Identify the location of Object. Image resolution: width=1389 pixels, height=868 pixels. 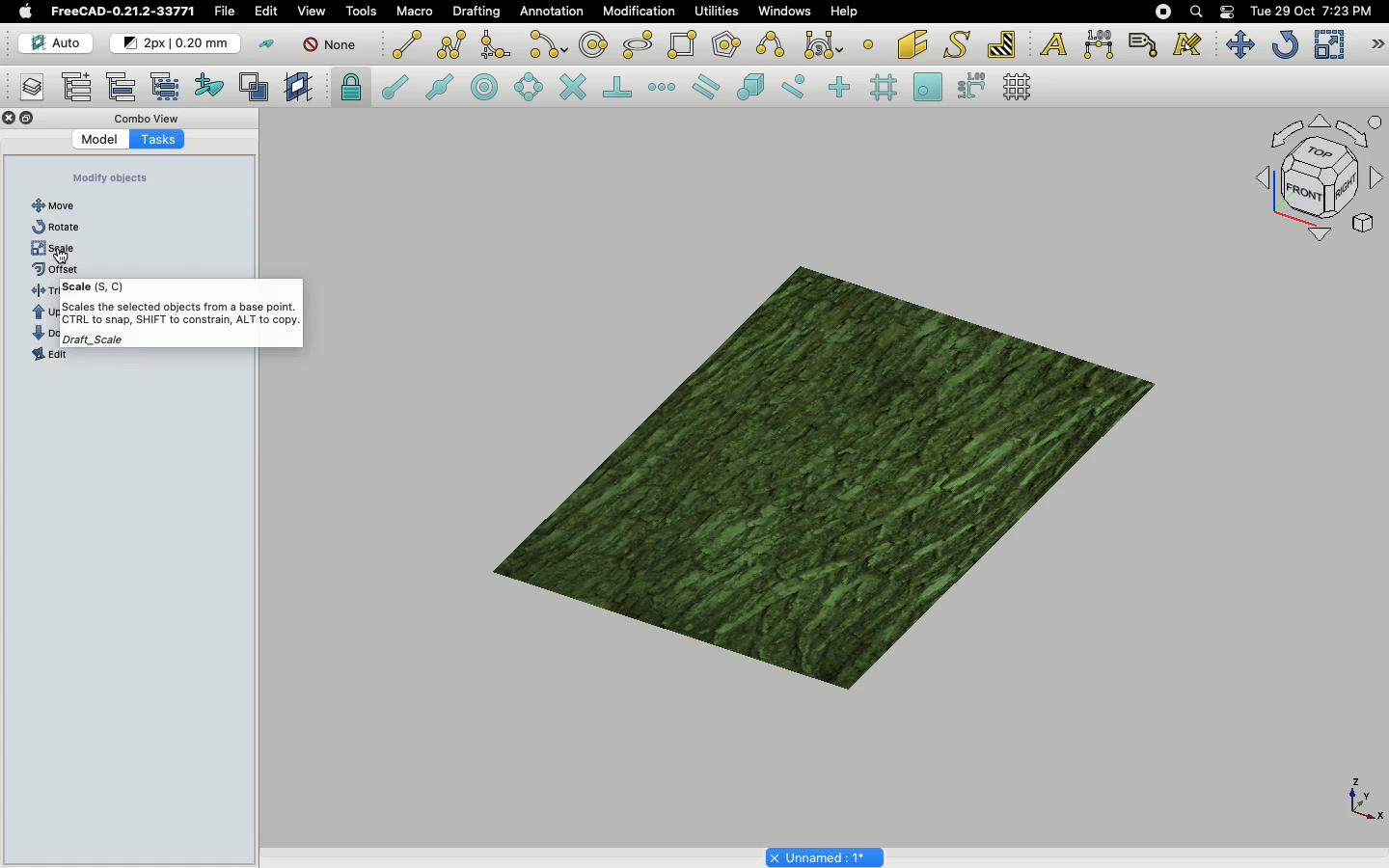
(823, 459).